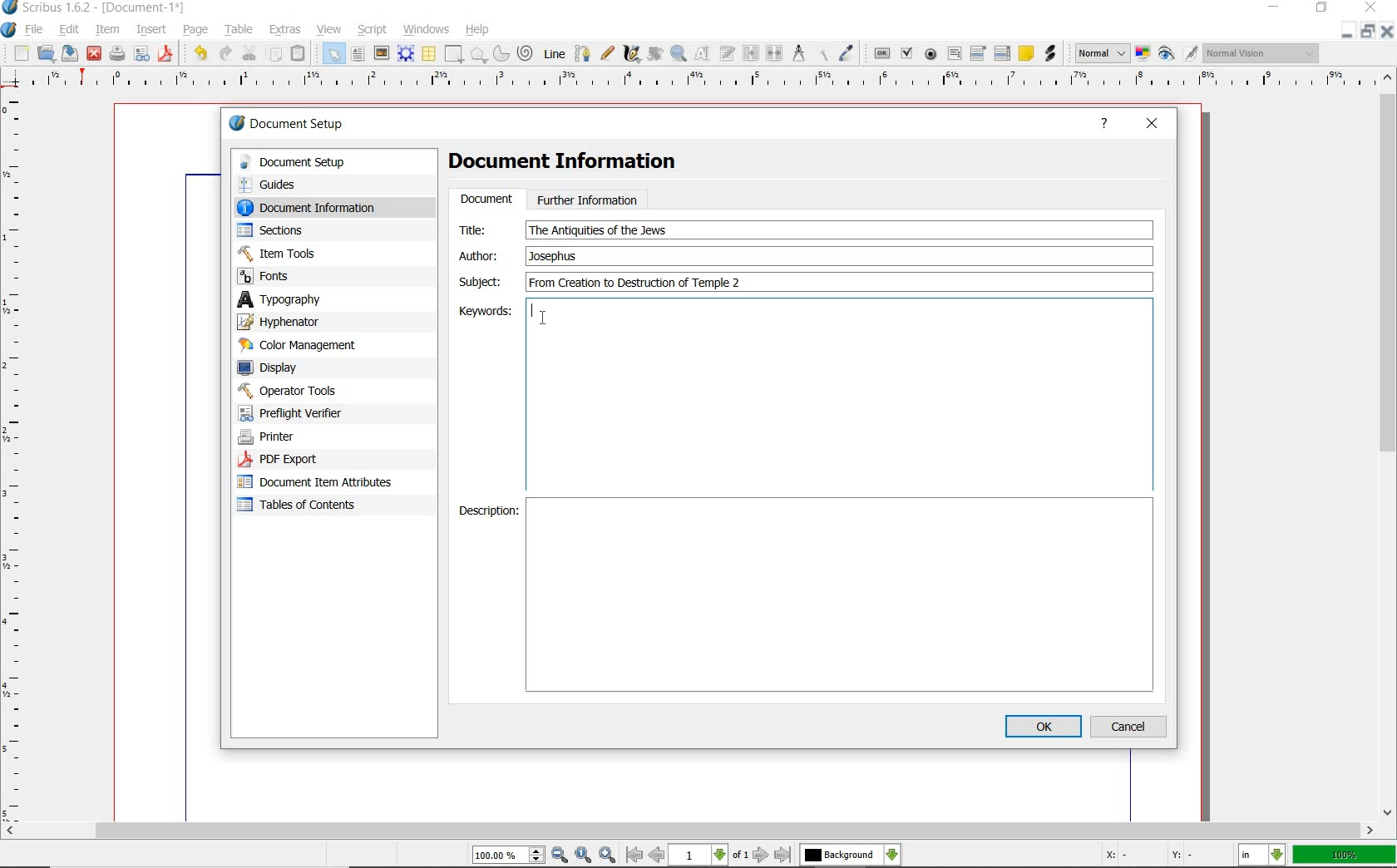 The width and height of the screenshot is (1397, 868). Describe the element at coordinates (199, 30) in the screenshot. I see `page` at that location.